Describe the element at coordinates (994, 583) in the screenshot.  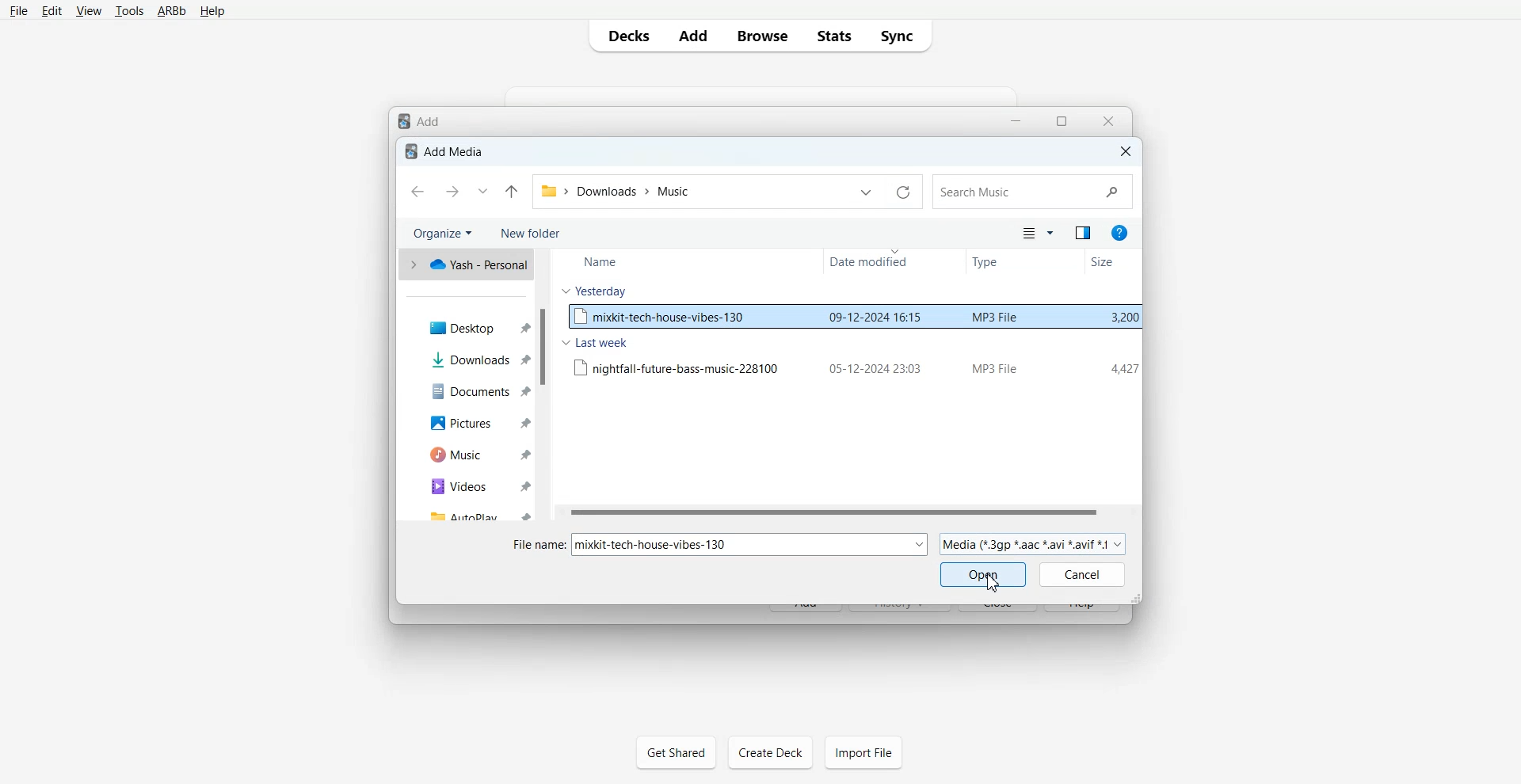
I see `Cursor` at that location.